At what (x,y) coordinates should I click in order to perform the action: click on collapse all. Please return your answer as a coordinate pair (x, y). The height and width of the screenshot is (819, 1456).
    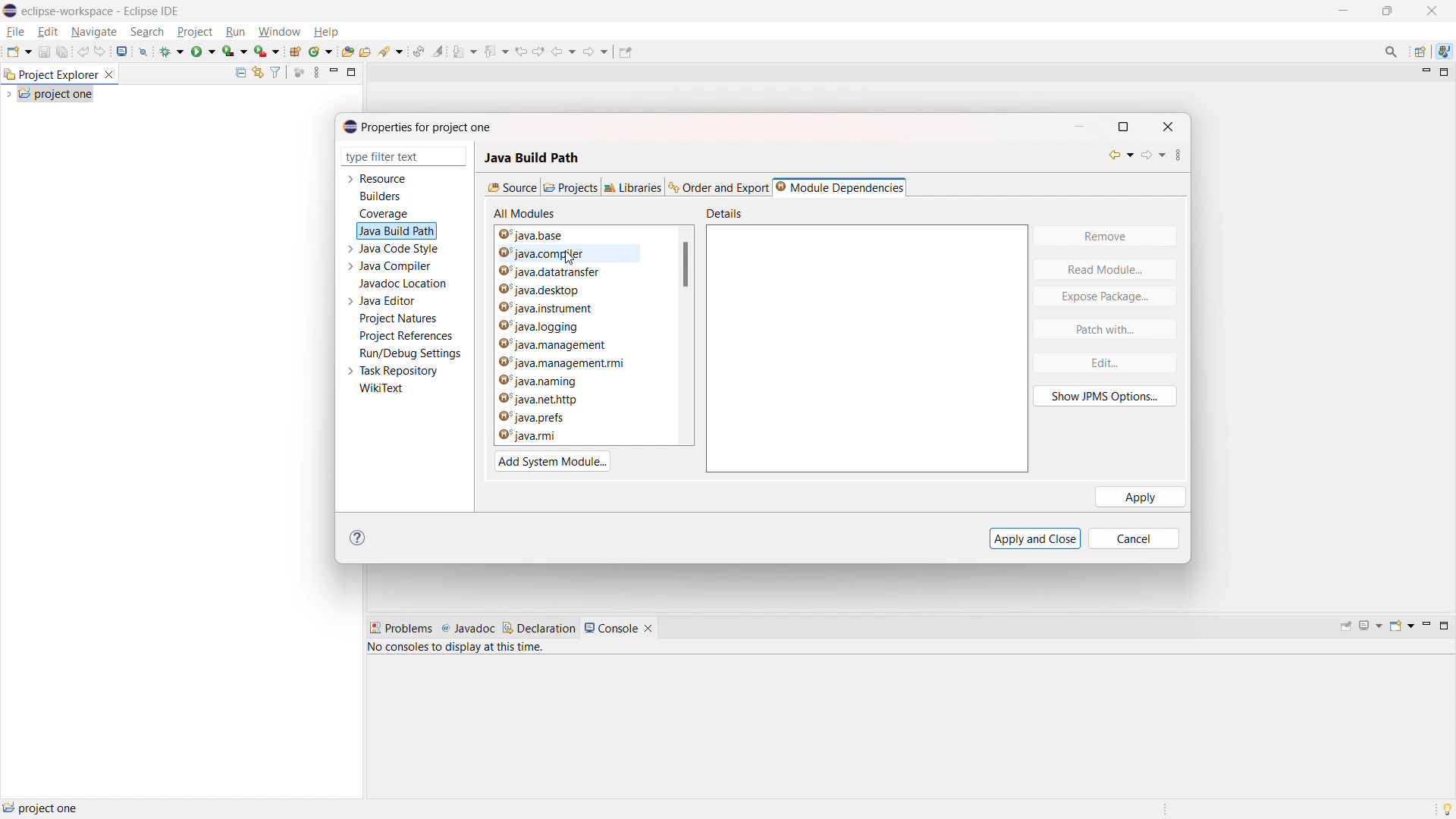
    Looking at the image, I should click on (240, 72).